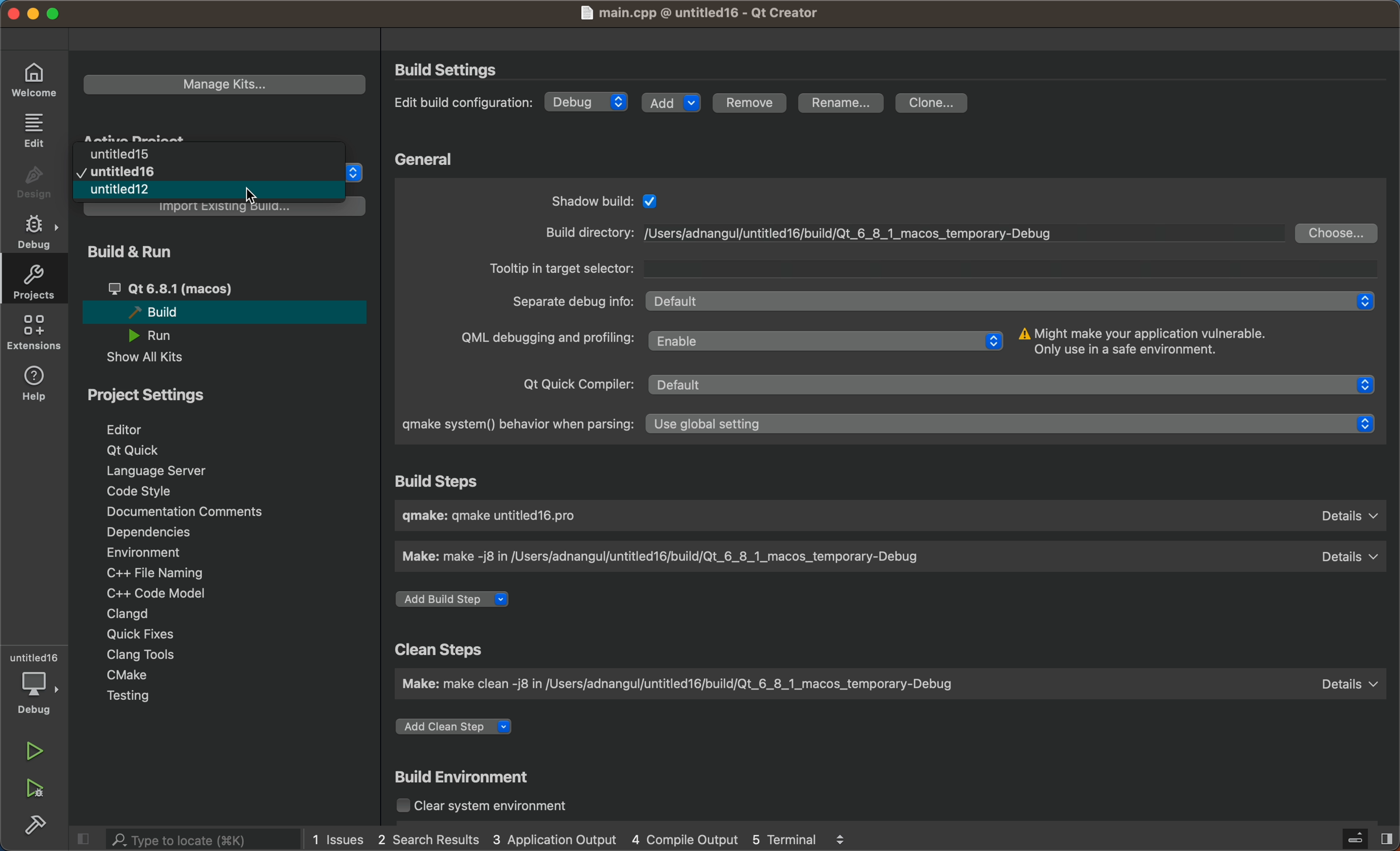 The height and width of the screenshot is (851, 1400). I want to click on build, so click(35, 825).